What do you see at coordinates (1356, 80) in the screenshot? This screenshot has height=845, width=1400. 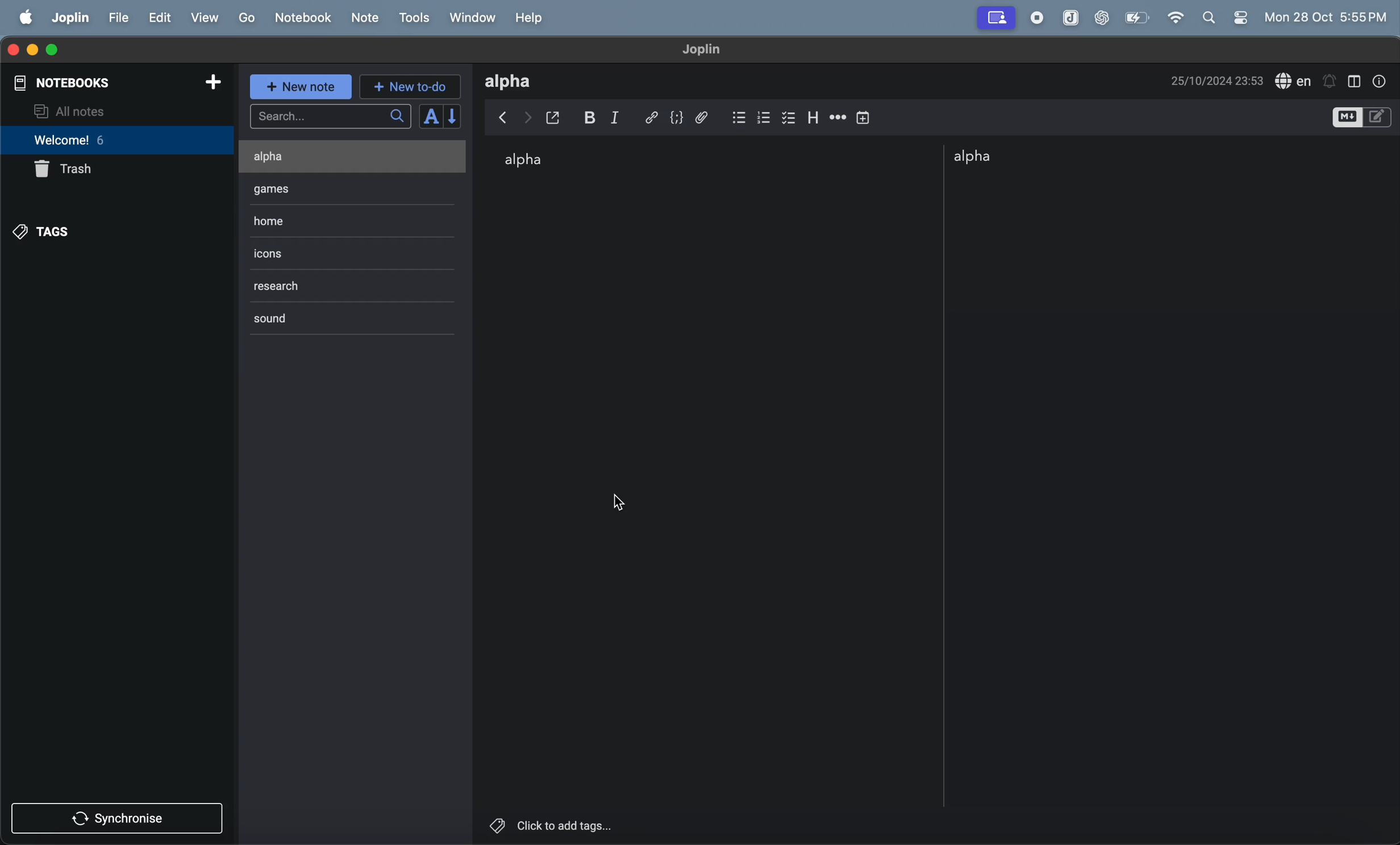 I see `toggle editor layout` at bounding box center [1356, 80].